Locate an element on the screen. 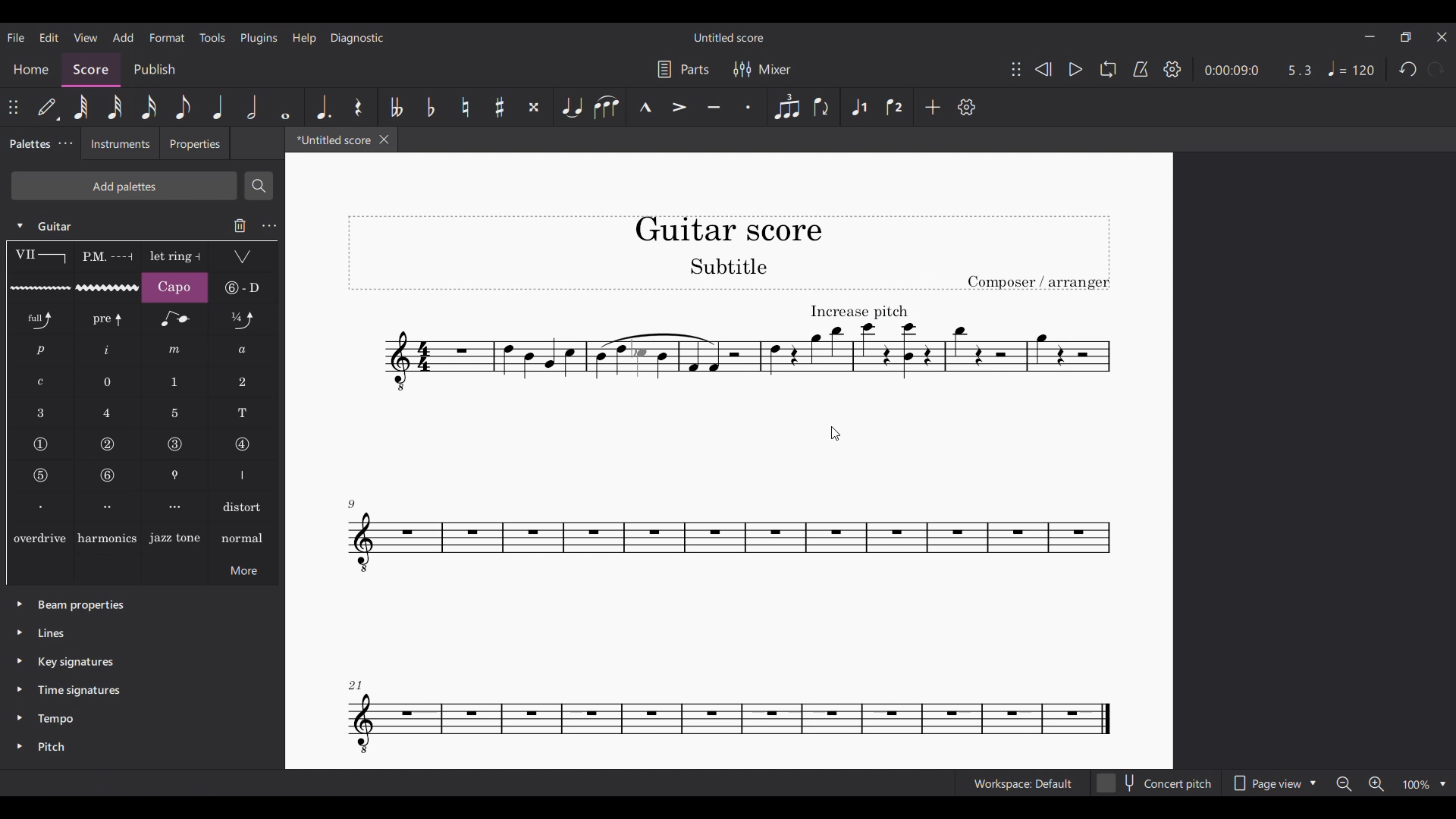  File menu is located at coordinates (17, 37).